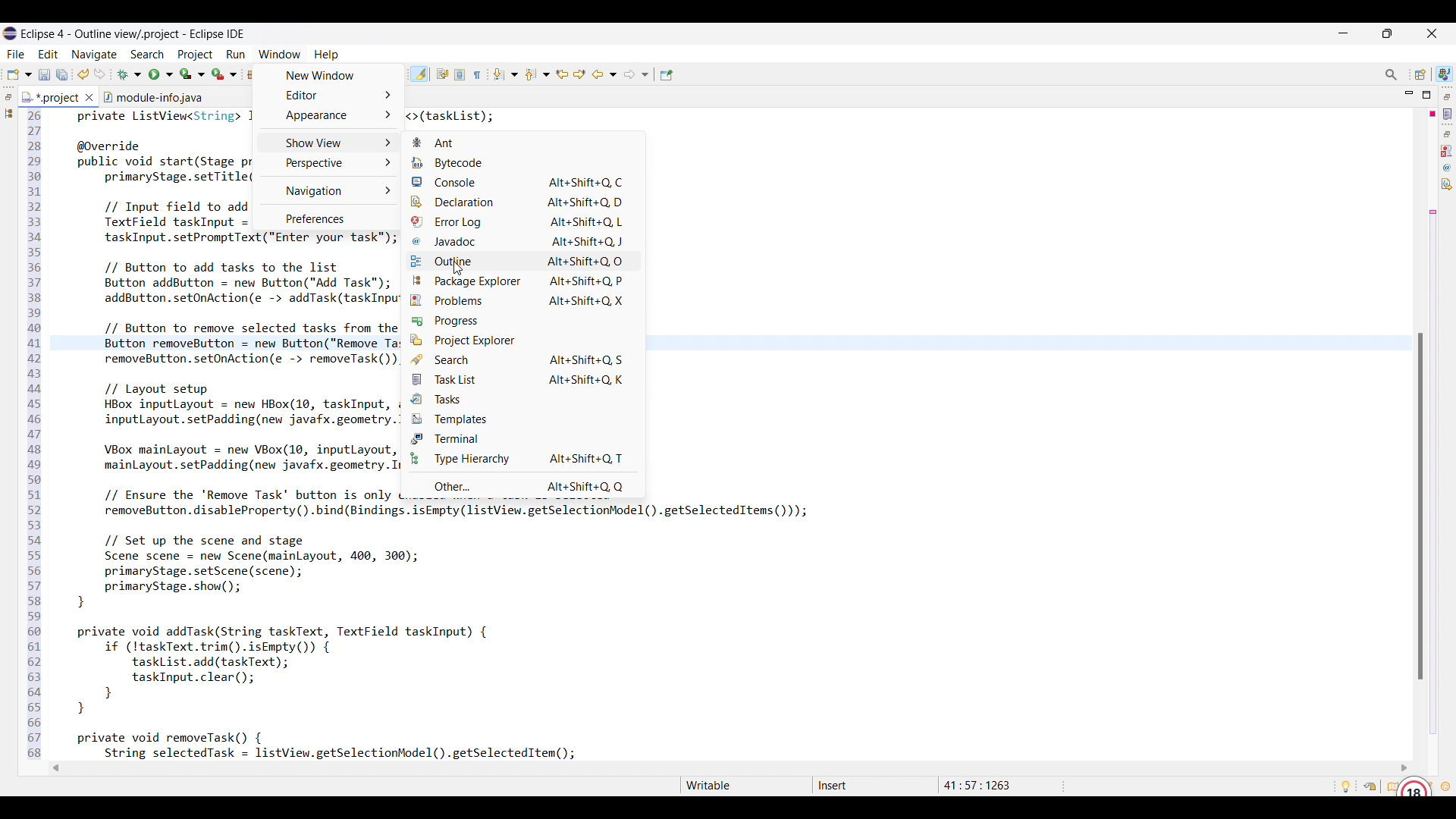 This screenshot has height=819, width=1456. I want to click on Open perspective, so click(1420, 74).